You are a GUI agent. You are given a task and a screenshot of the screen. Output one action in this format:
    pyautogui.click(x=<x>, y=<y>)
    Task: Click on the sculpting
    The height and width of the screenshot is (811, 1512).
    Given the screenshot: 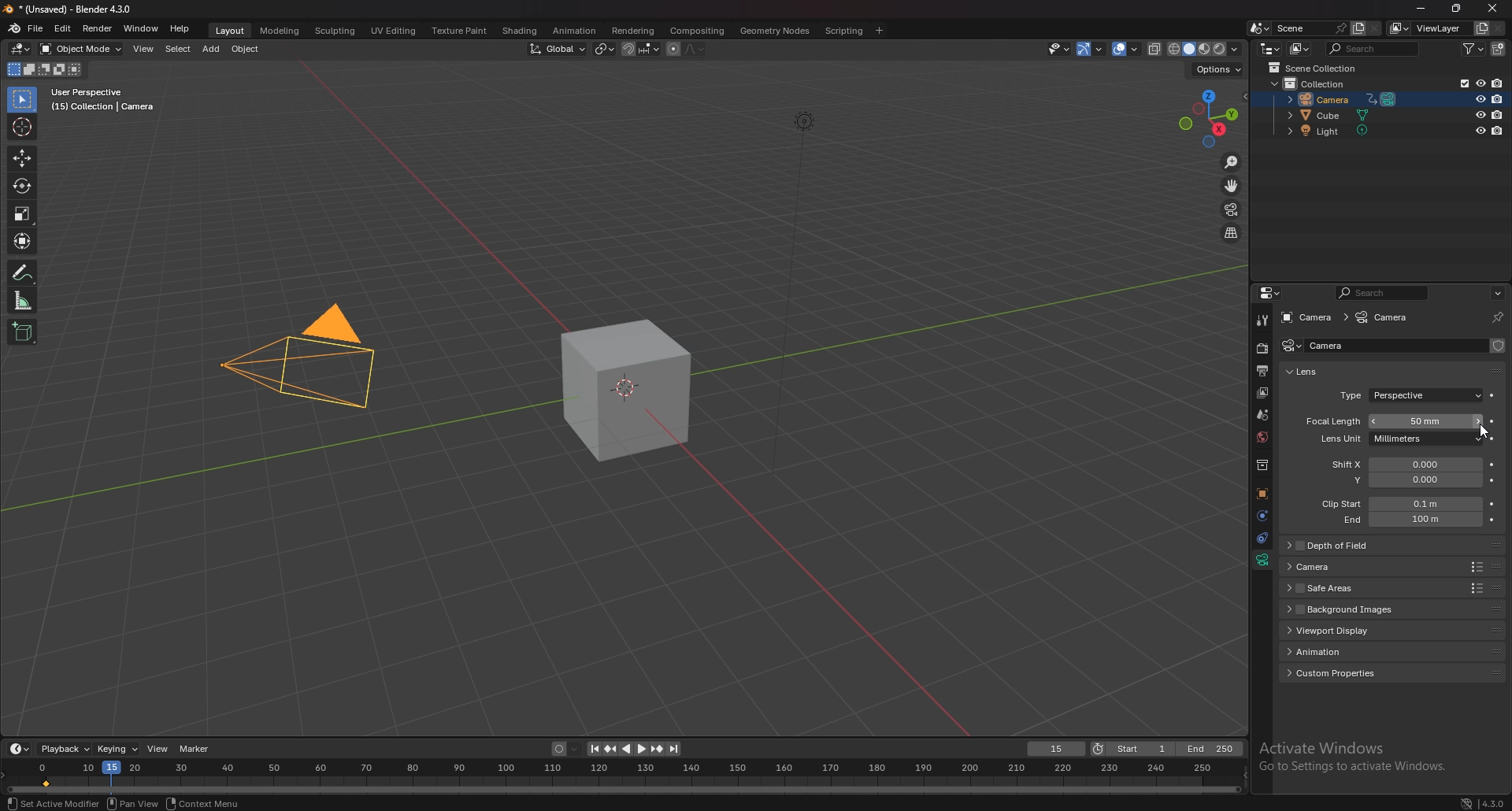 What is the action you would take?
    pyautogui.click(x=335, y=31)
    